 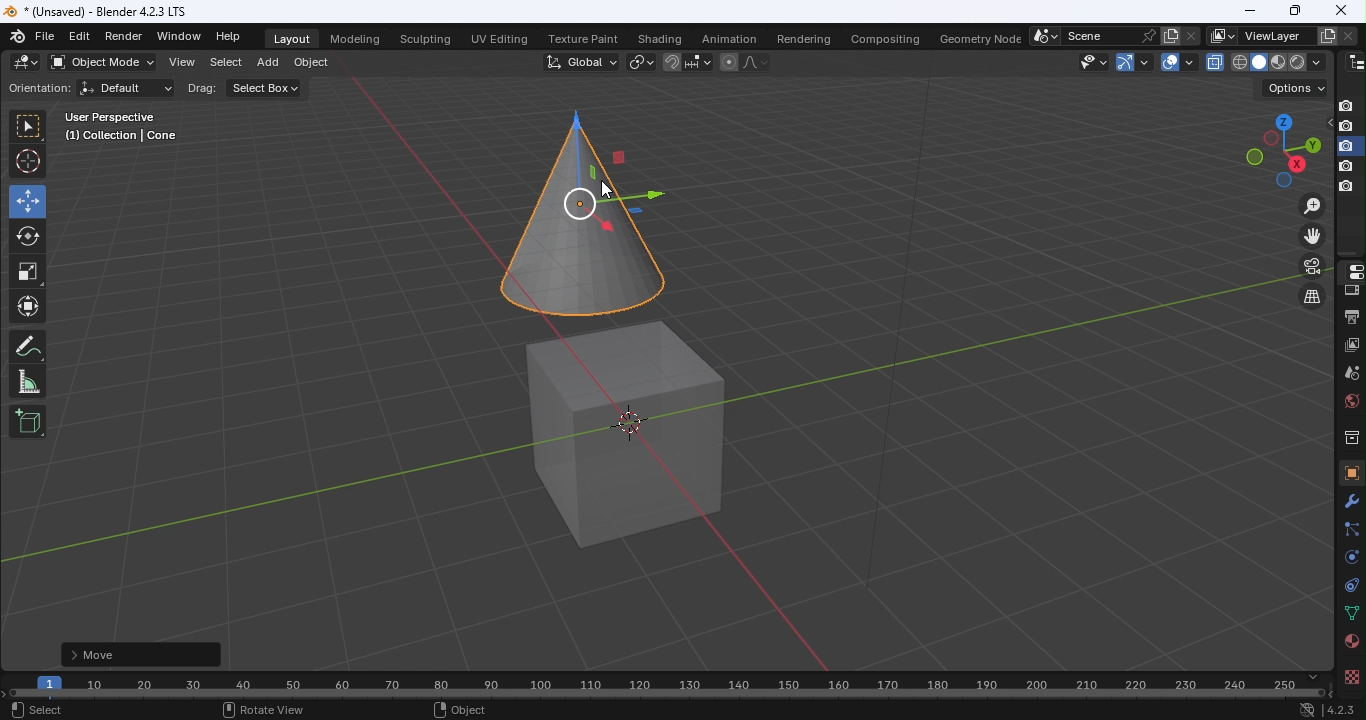 What do you see at coordinates (1043, 34) in the screenshot?
I see `Browse scene to be linked` at bounding box center [1043, 34].